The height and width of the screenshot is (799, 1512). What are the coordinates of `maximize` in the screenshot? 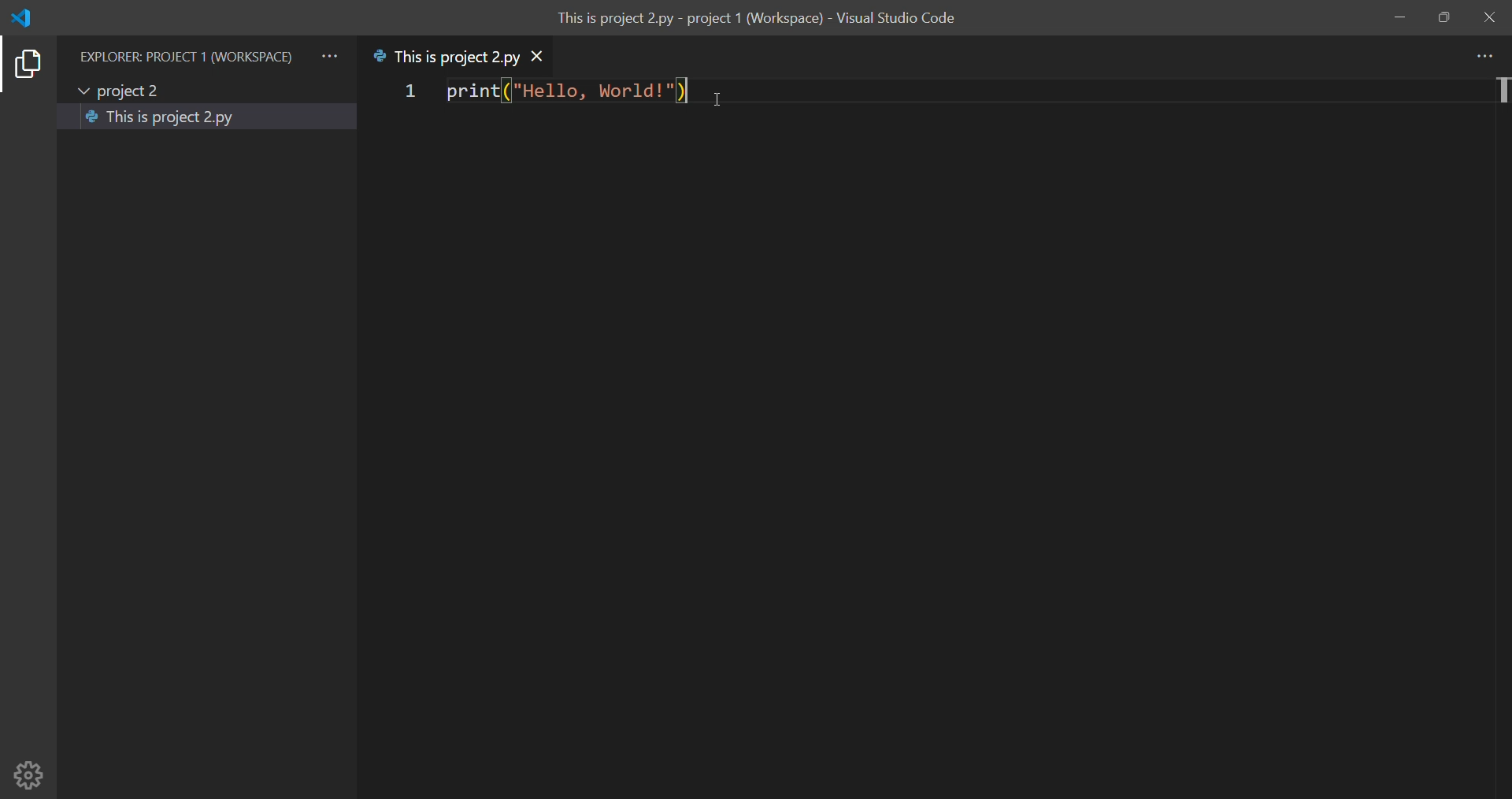 It's located at (1444, 19).